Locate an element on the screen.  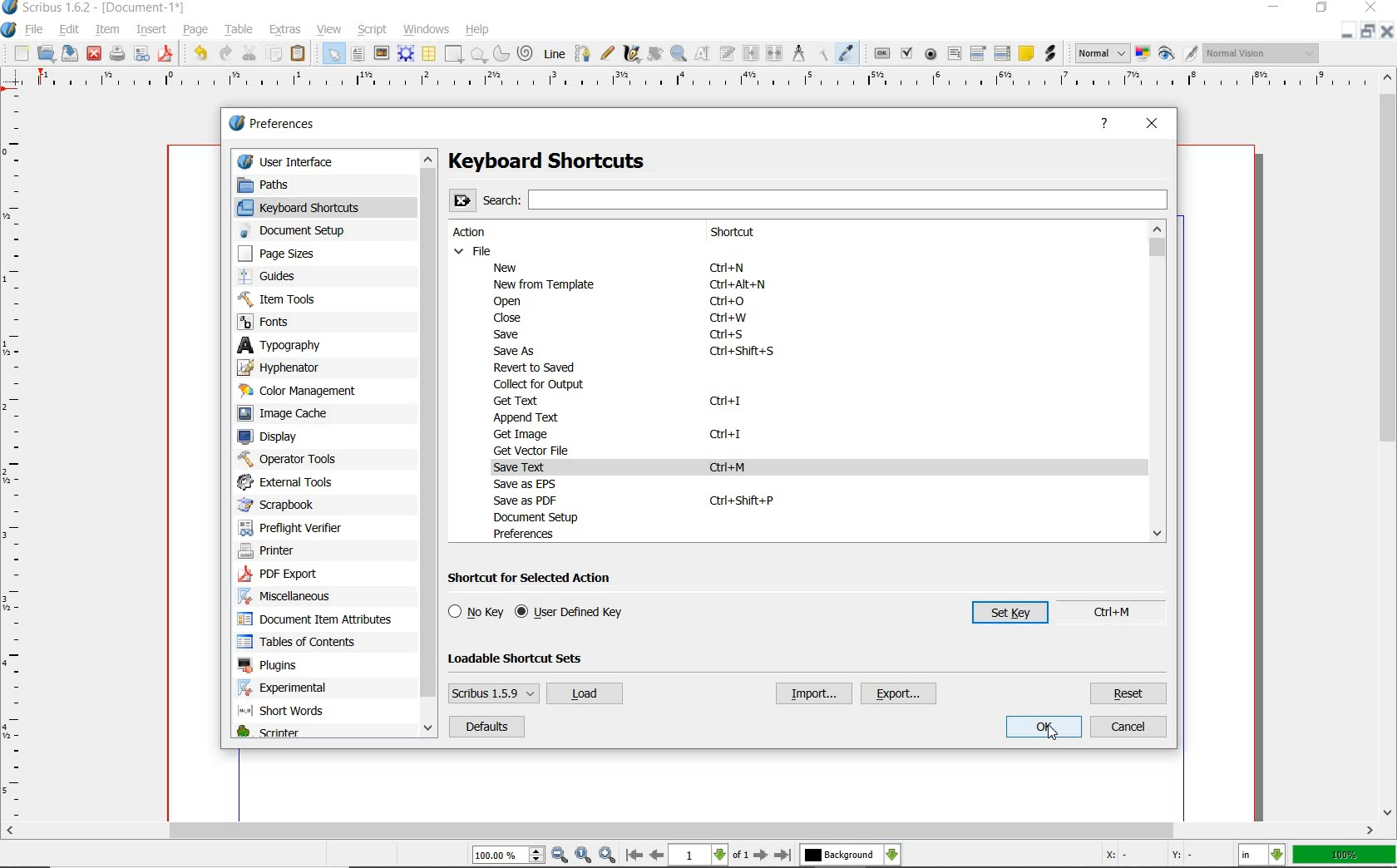
toggle color management is located at coordinates (1142, 55).